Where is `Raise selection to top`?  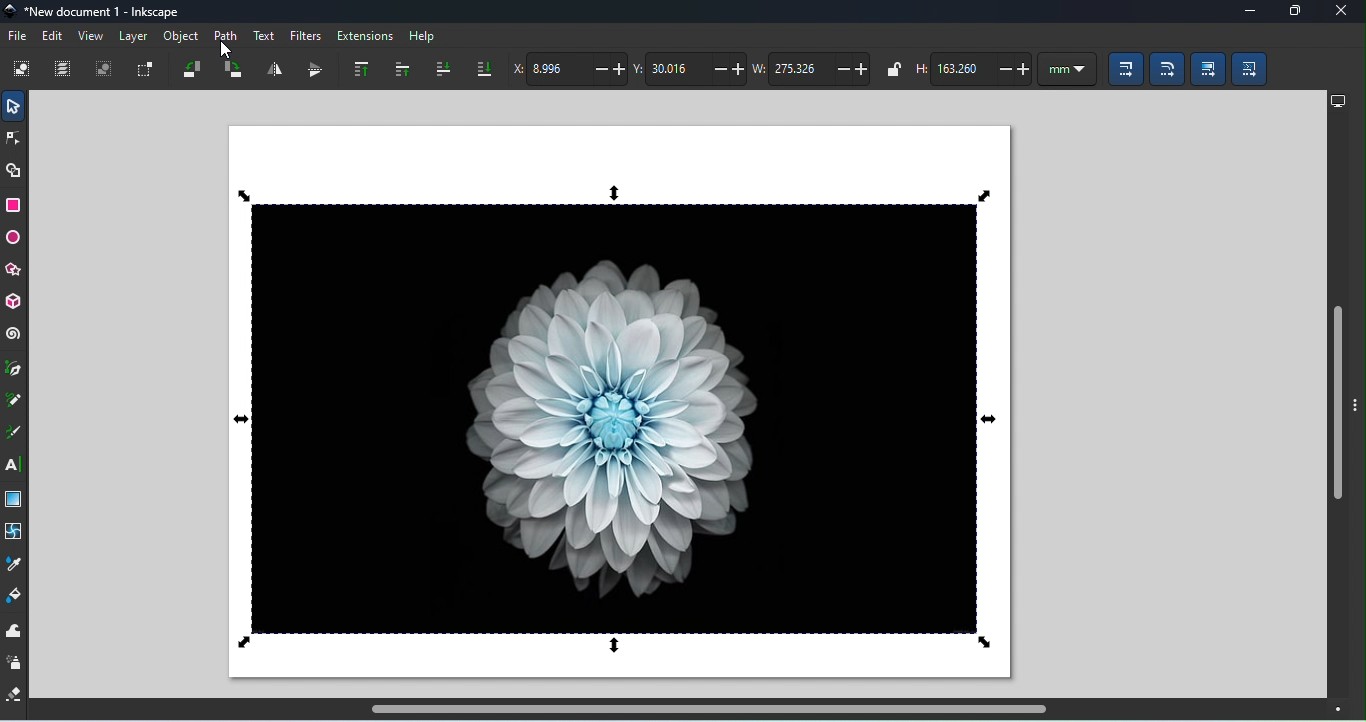
Raise selection to top is located at coordinates (356, 69).